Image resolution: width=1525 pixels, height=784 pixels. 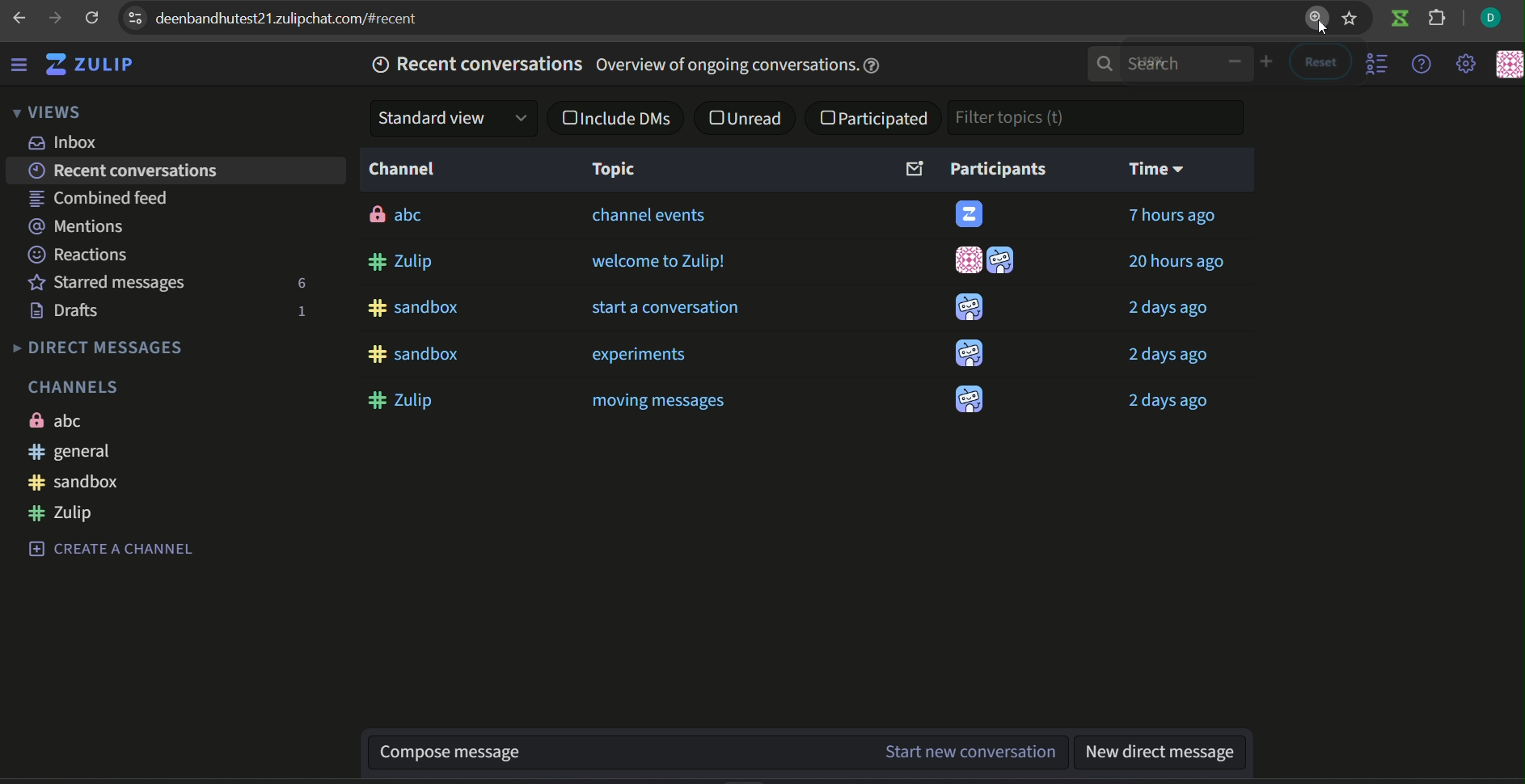 I want to click on moving messages, so click(x=661, y=401).